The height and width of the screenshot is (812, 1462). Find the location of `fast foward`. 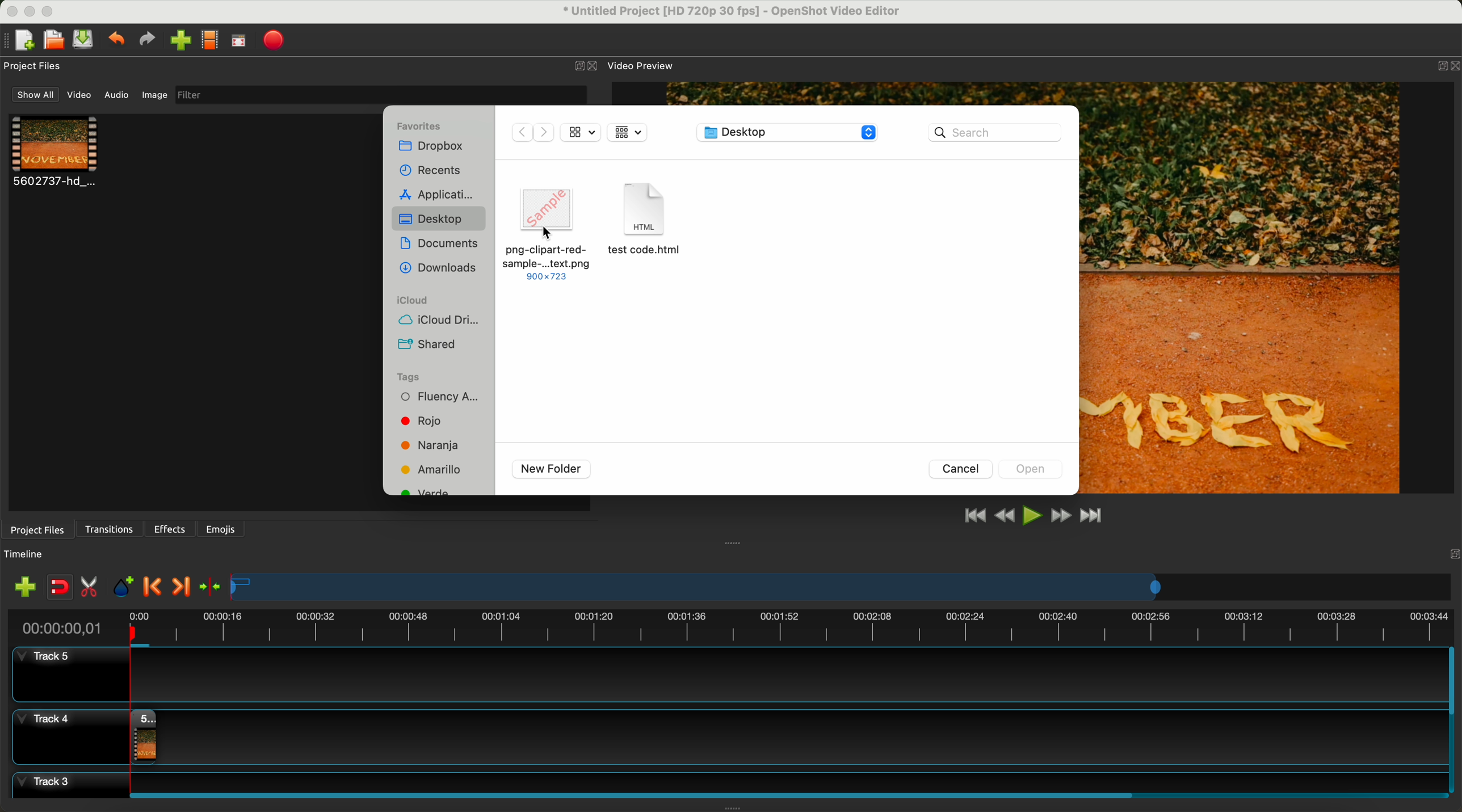

fast foward is located at coordinates (1060, 517).